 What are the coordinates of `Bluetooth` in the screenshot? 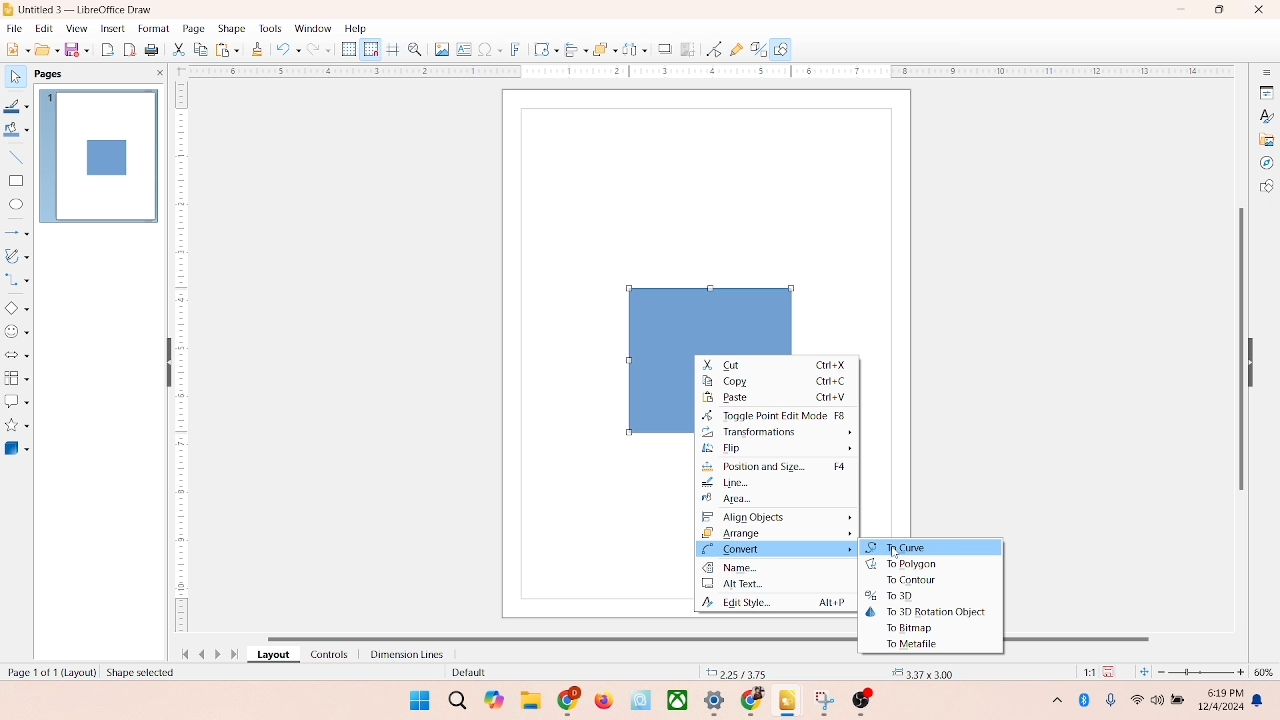 It's located at (1088, 700).